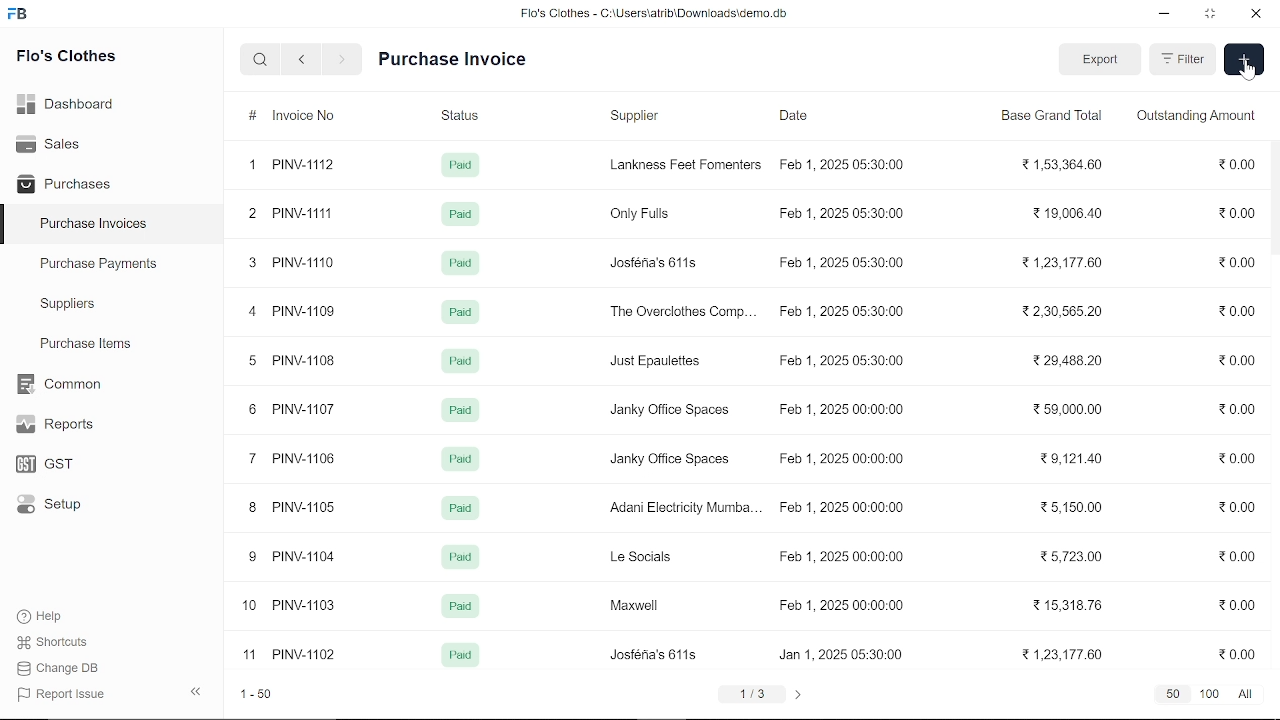  Describe the element at coordinates (1100, 61) in the screenshot. I see `export` at that location.